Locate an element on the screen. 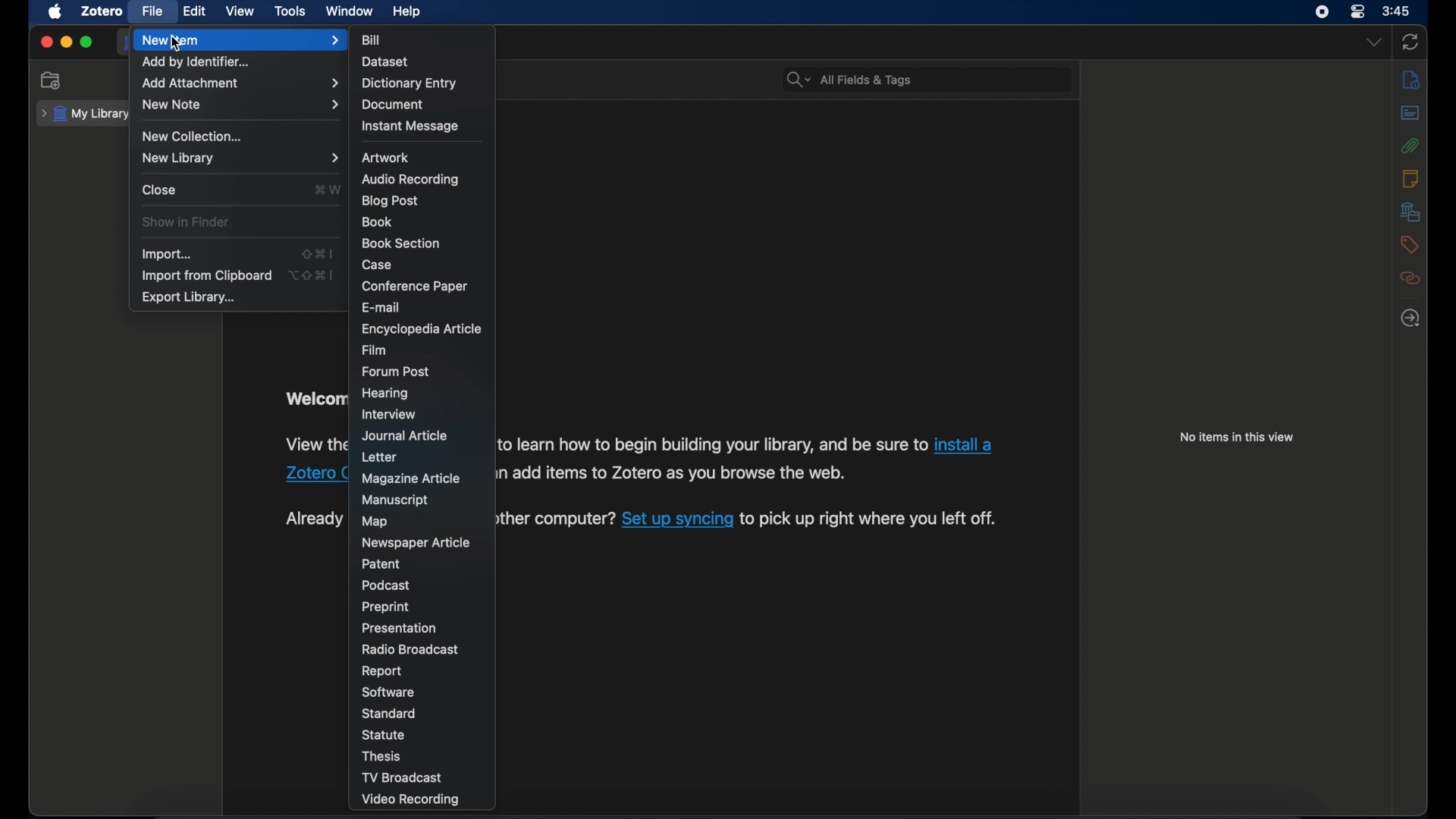 Image resolution: width=1456 pixels, height=819 pixels. 3.45 is located at coordinates (1396, 12).